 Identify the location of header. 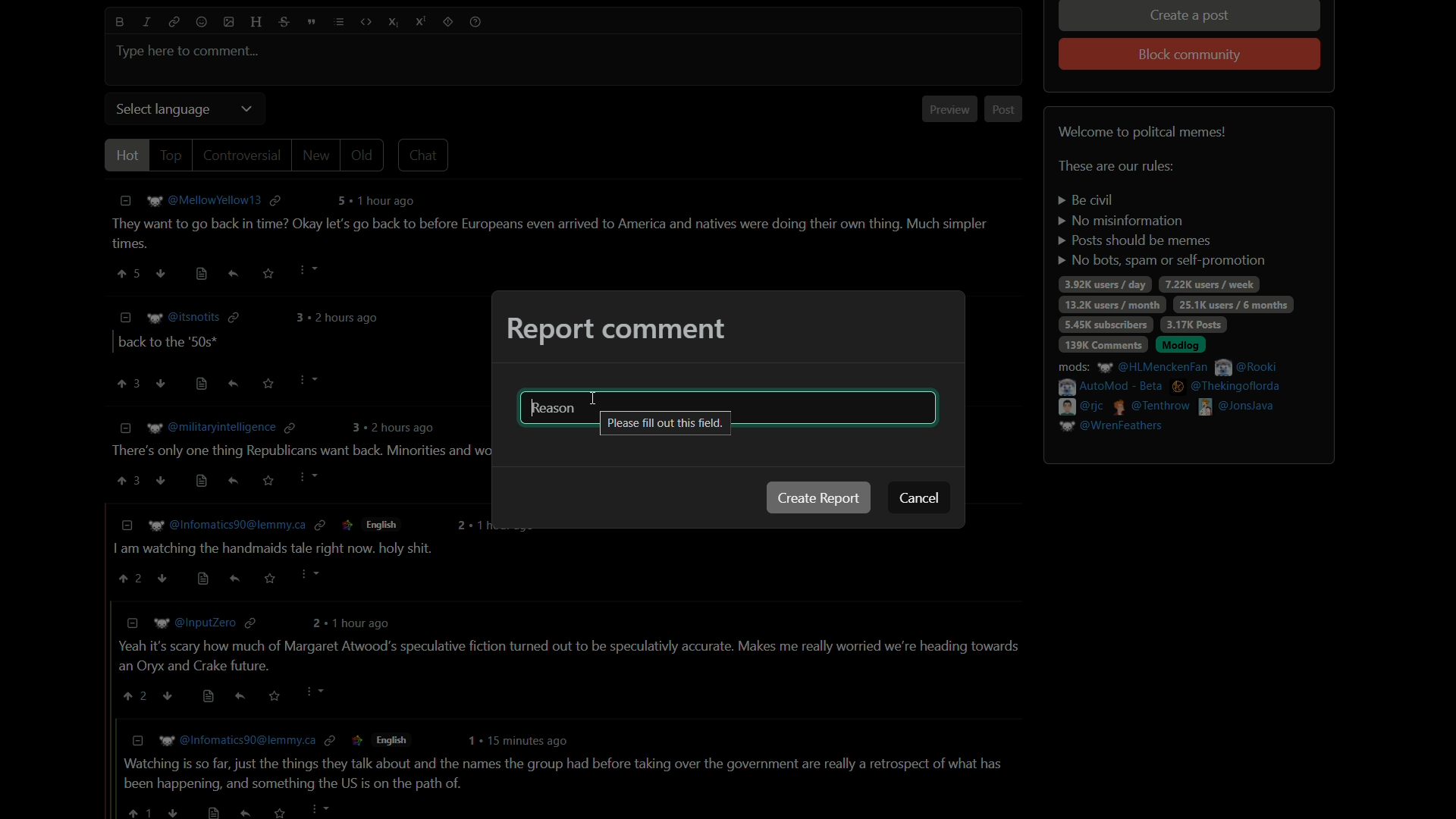
(256, 23).